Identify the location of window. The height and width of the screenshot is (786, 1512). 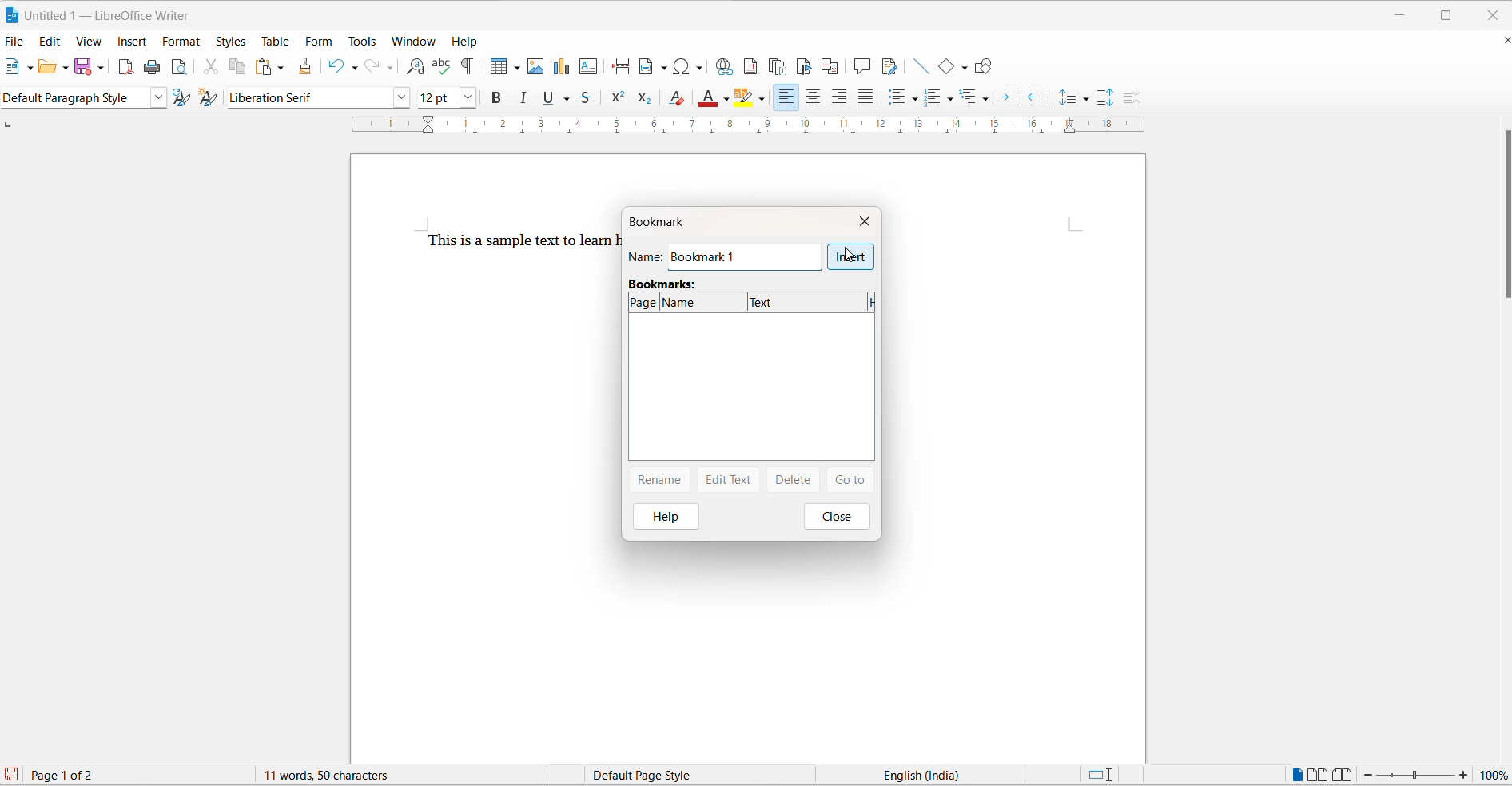
(413, 41).